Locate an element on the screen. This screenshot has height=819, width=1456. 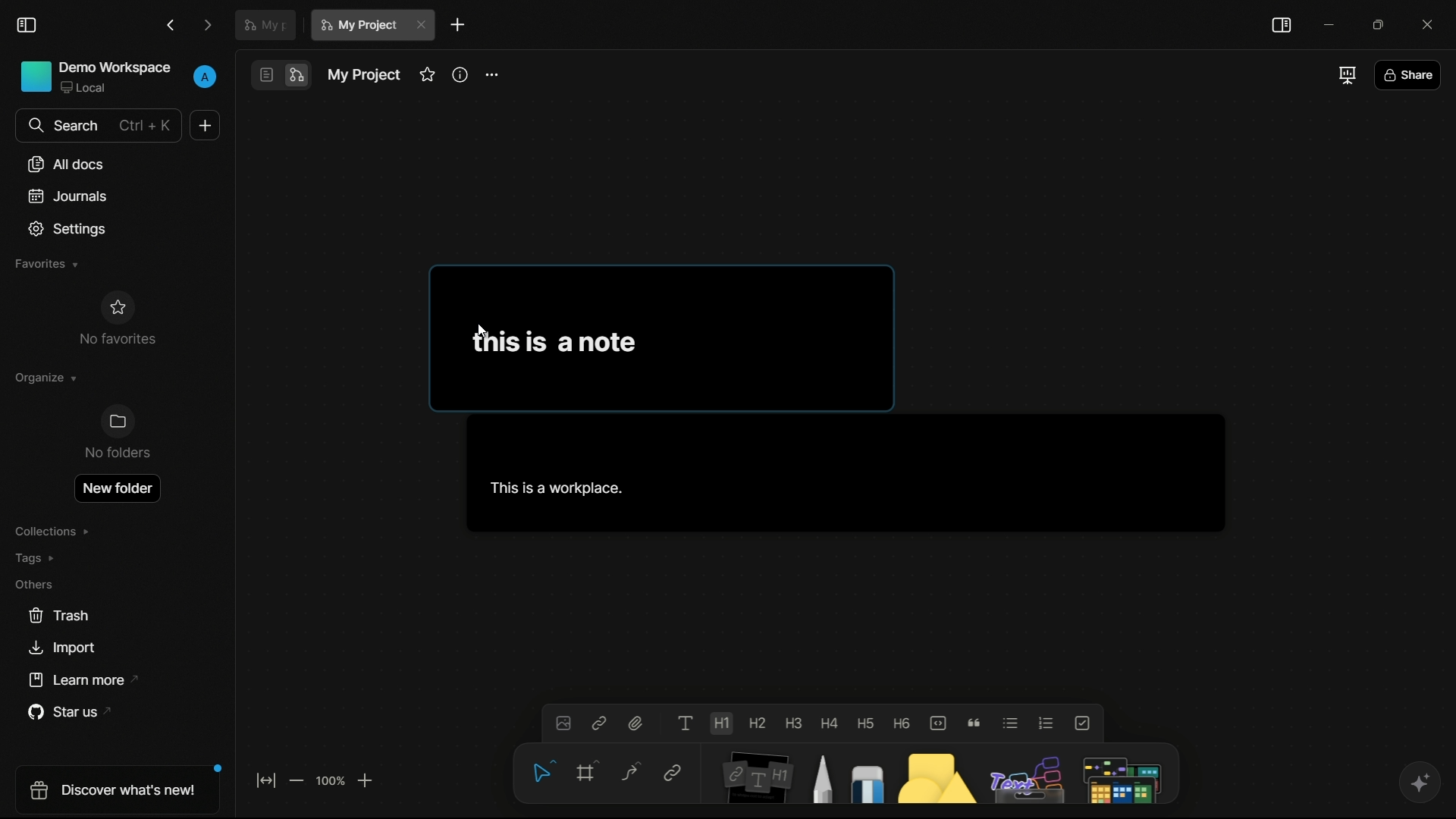
organize is located at coordinates (45, 379).